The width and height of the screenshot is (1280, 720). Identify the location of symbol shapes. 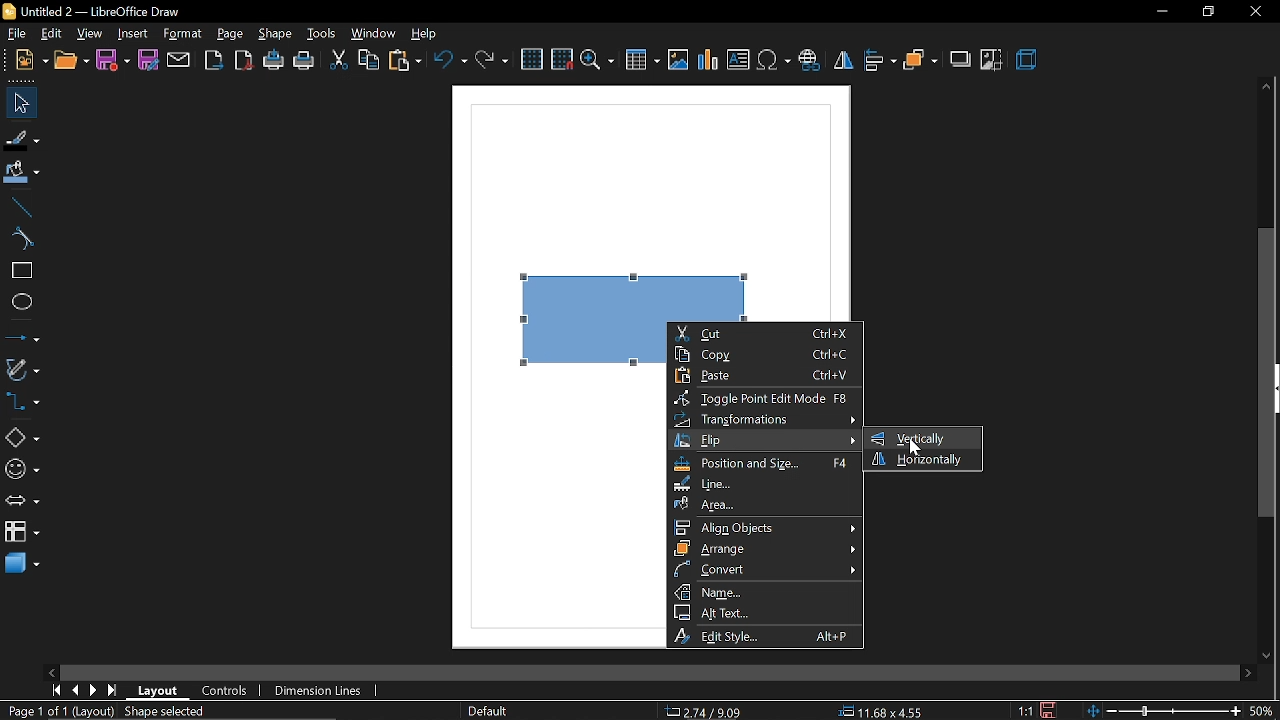
(21, 469).